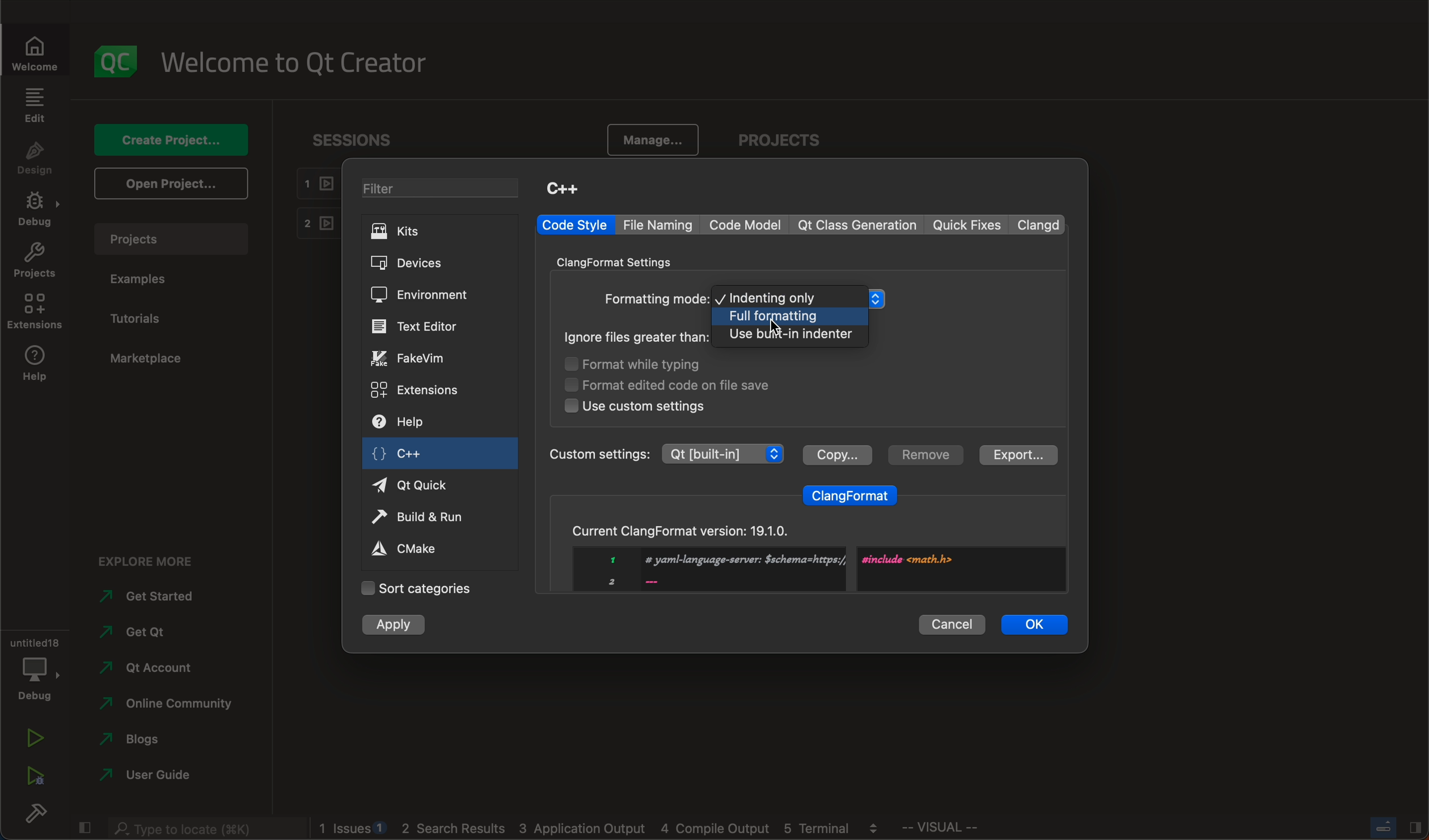 The width and height of the screenshot is (1429, 840). I want to click on user guide, so click(149, 777).